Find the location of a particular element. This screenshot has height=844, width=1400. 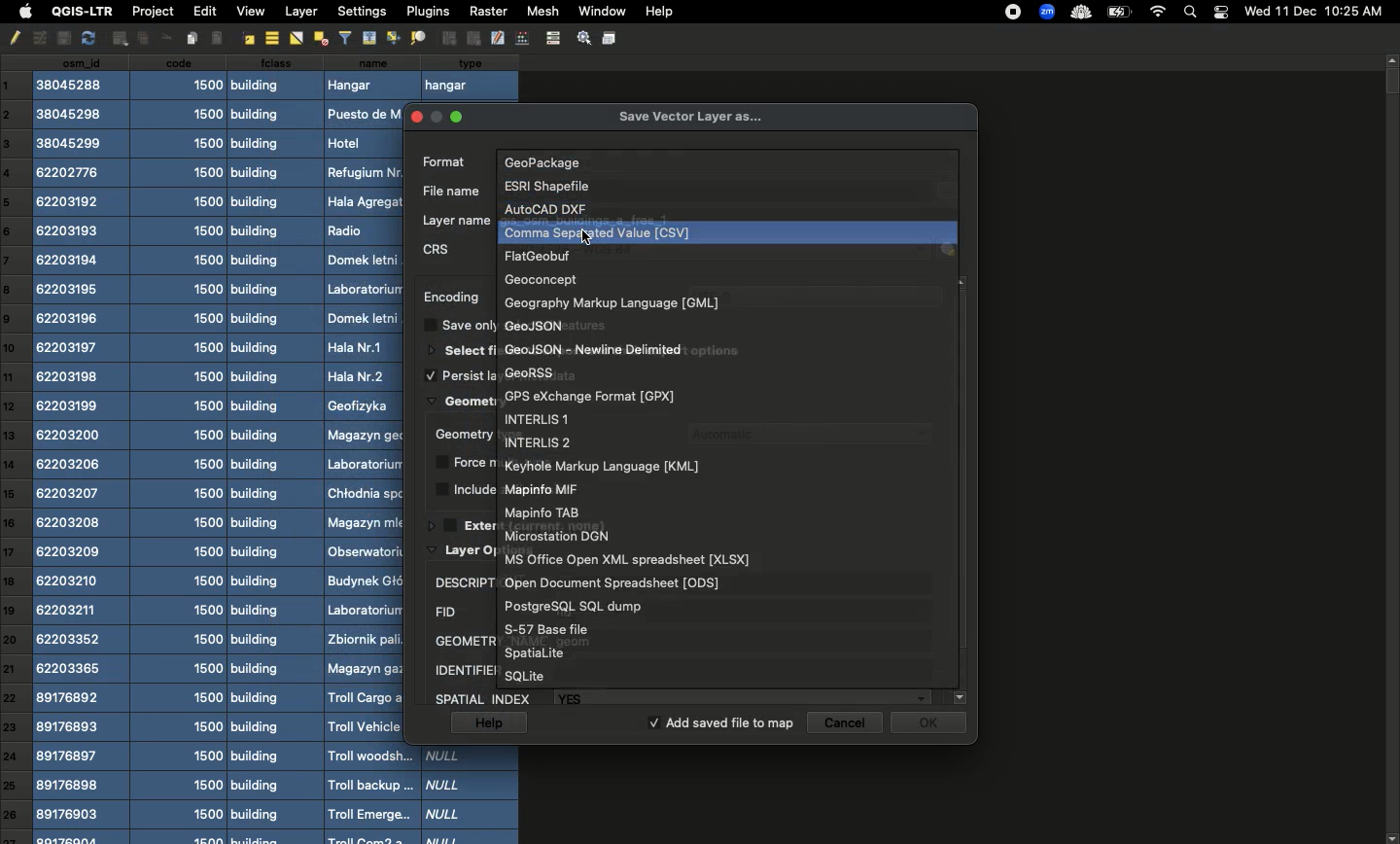

CRS is located at coordinates (437, 249).